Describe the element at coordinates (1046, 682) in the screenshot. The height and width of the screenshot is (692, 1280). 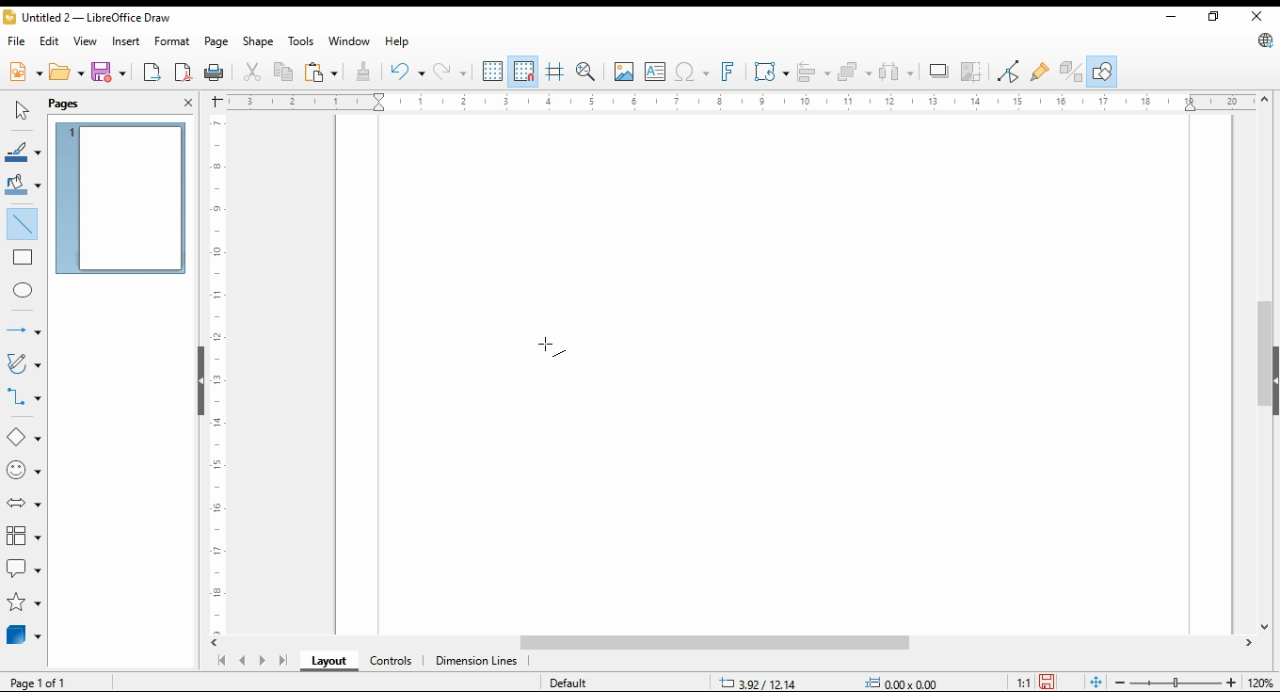
I see `save` at that location.